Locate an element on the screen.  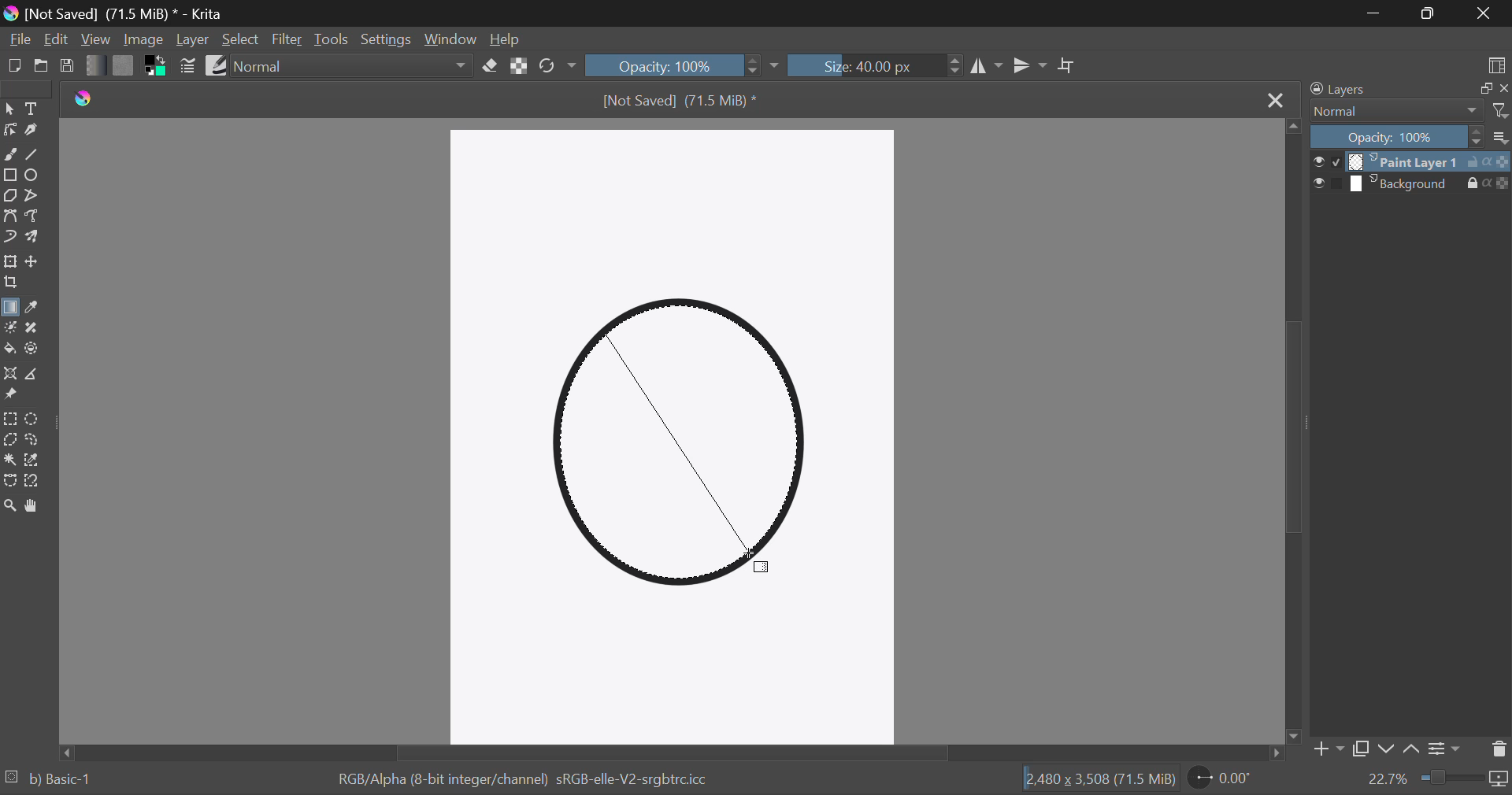
Brush Size is located at coordinates (878, 65).